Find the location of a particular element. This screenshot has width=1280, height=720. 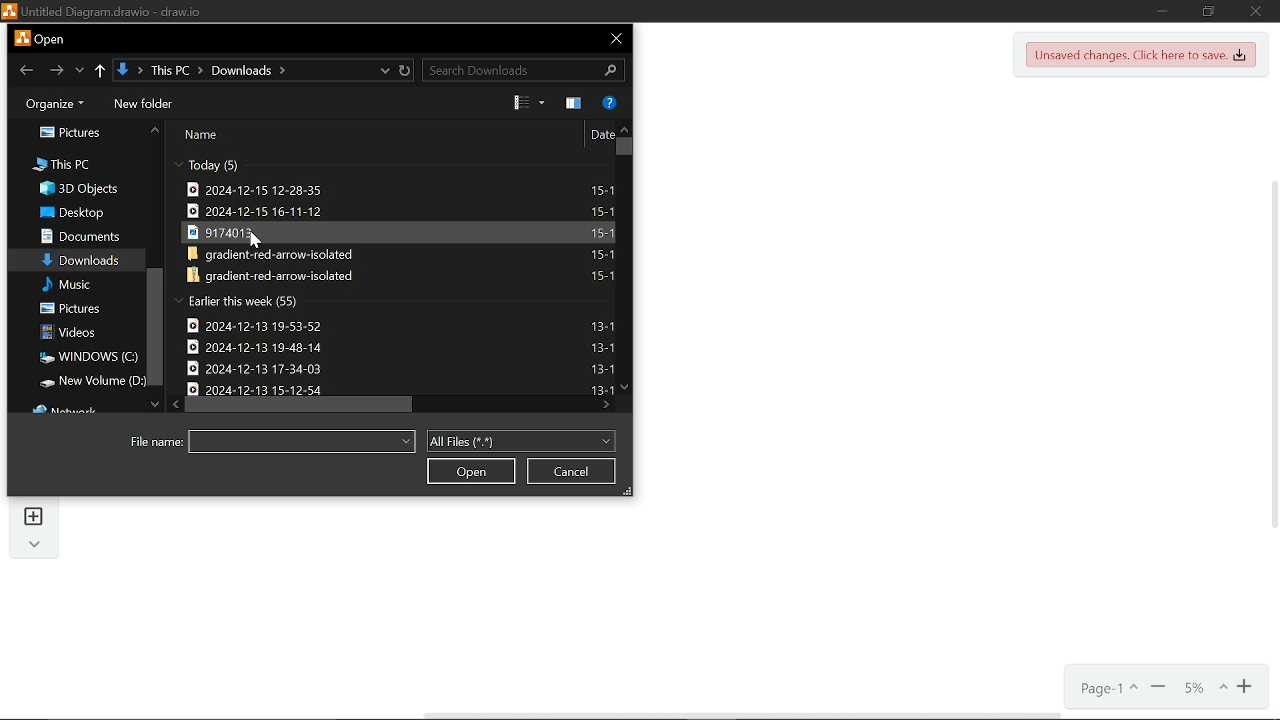

Recent location is located at coordinates (81, 70).